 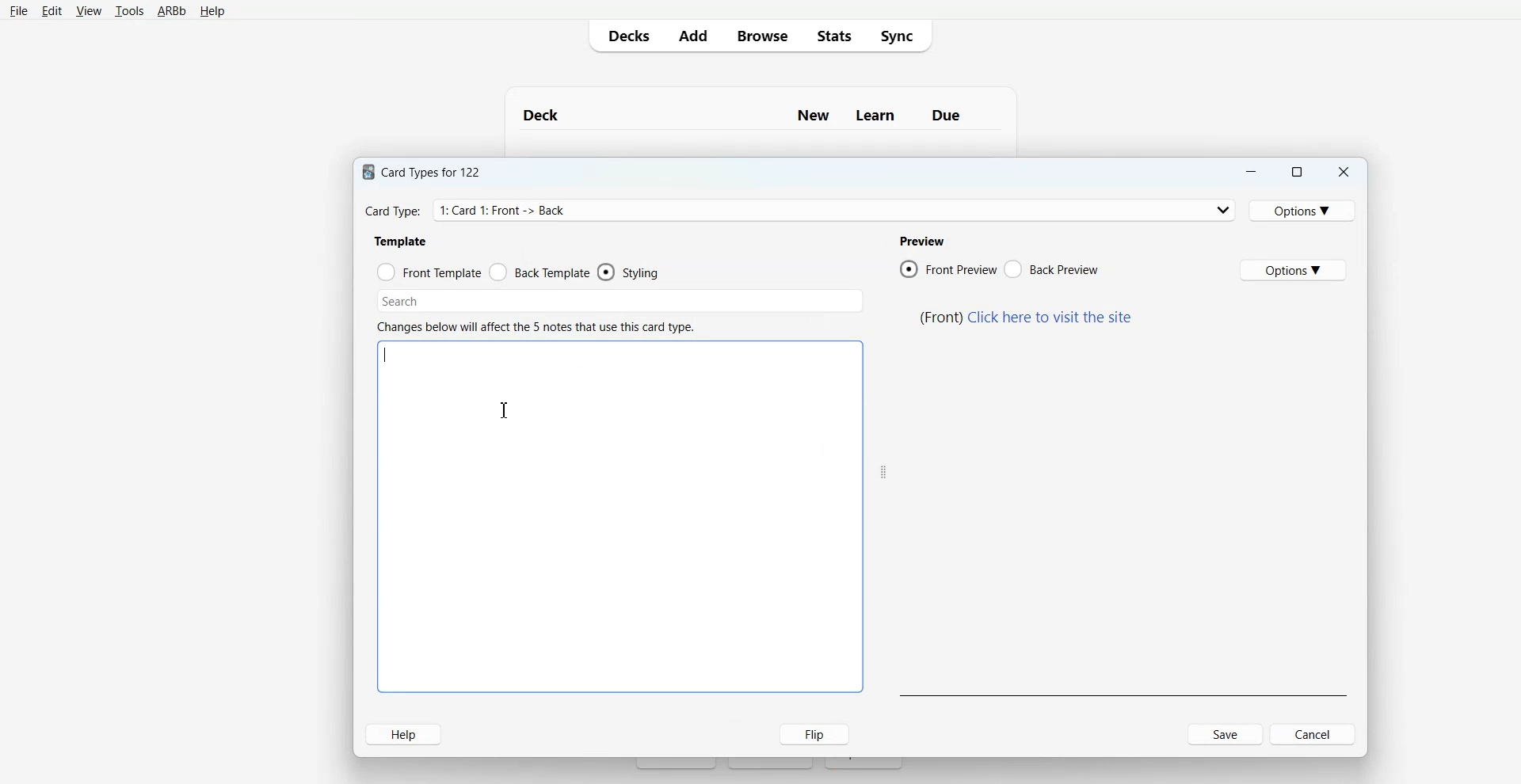 I want to click on Text 1, so click(x=752, y=114).